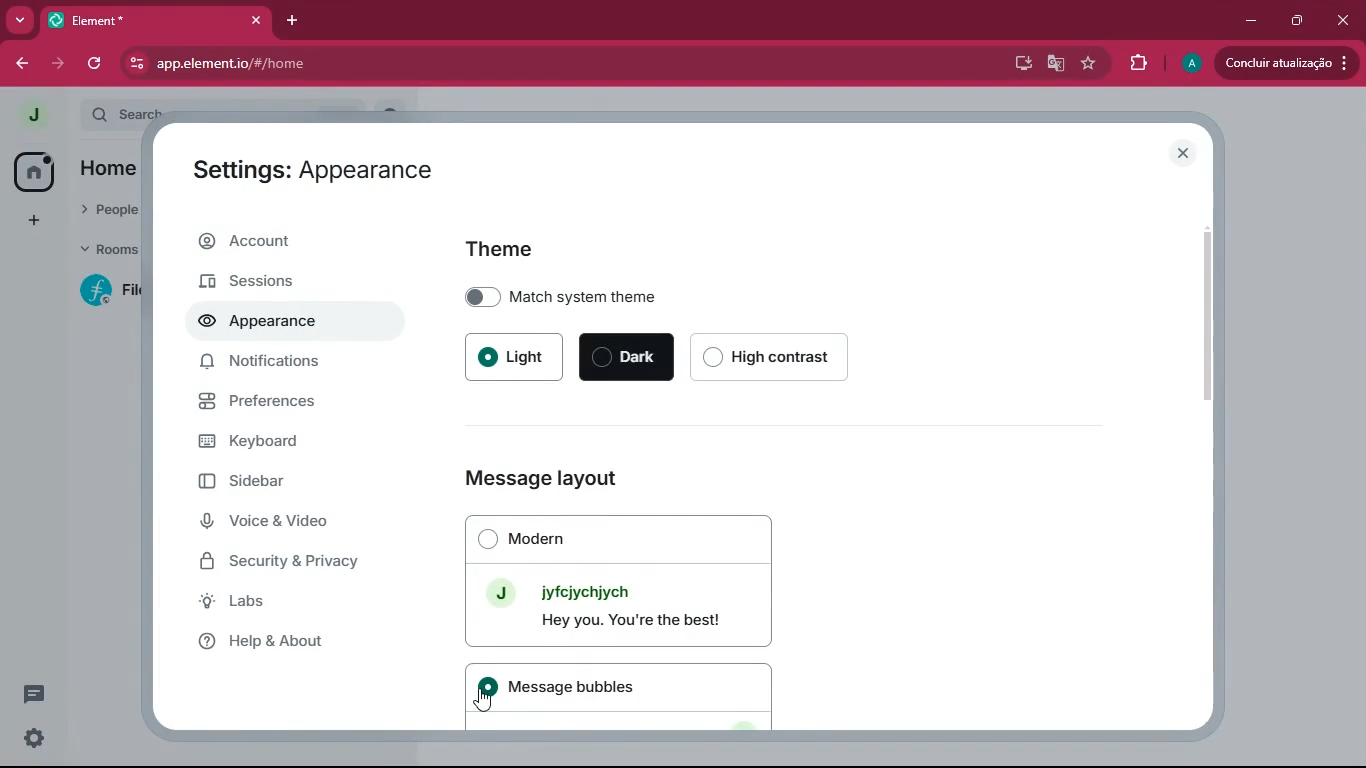  Describe the element at coordinates (137, 19) in the screenshot. I see `Element*` at that location.